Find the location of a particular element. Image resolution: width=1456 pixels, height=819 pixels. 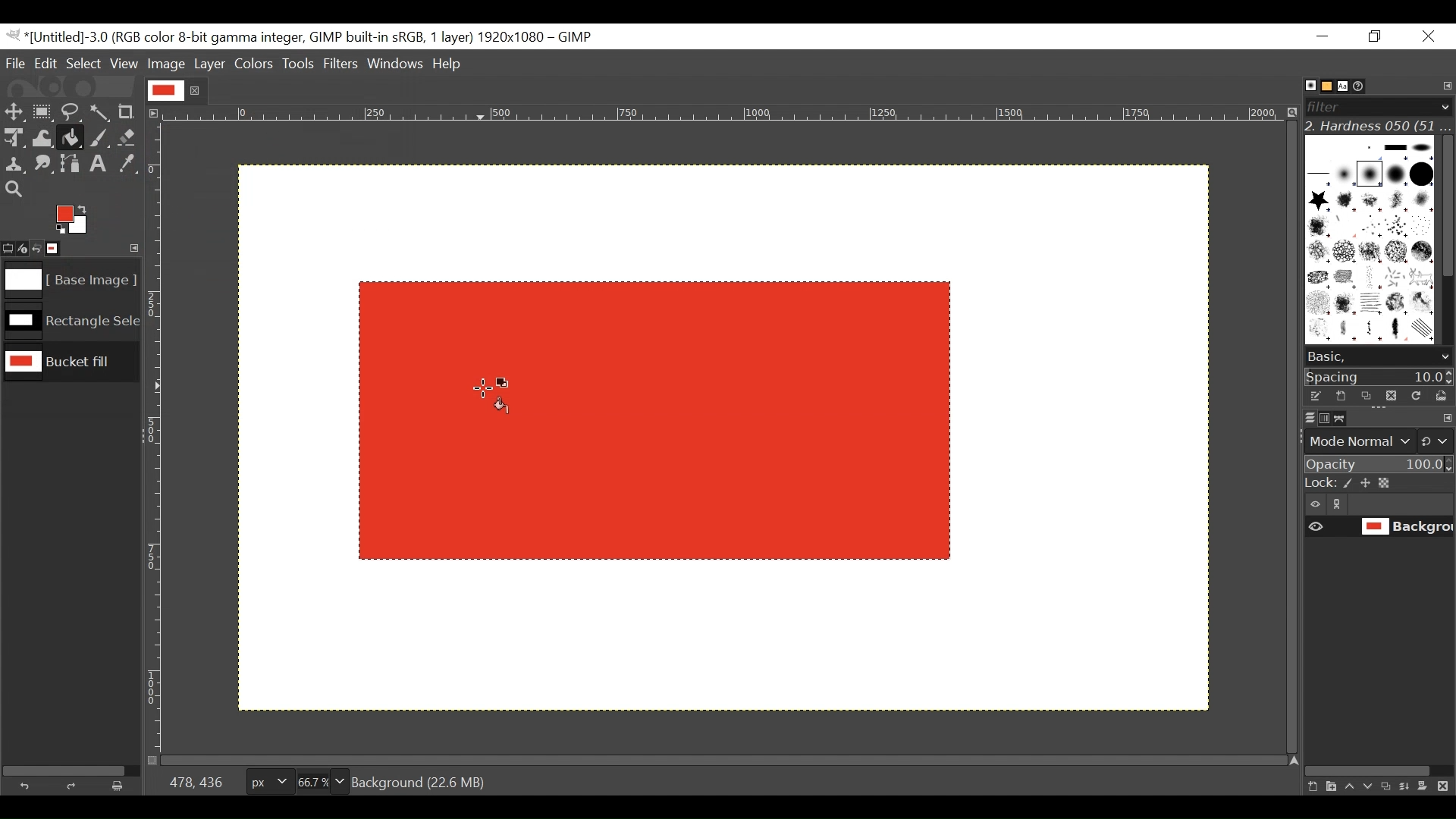

Duplicate brush is located at coordinates (1366, 396).